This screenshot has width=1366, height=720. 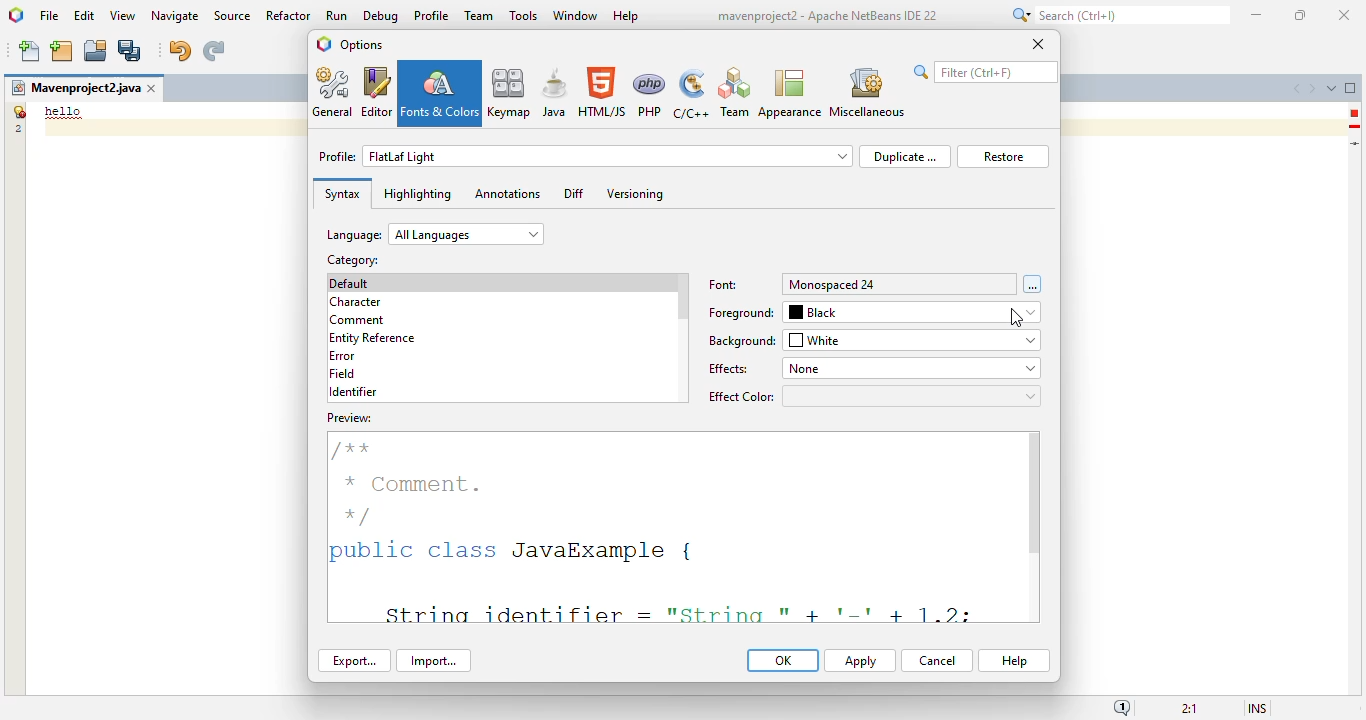 What do you see at coordinates (334, 92) in the screenshot?
I see `general` at bounding box center [334, 92].